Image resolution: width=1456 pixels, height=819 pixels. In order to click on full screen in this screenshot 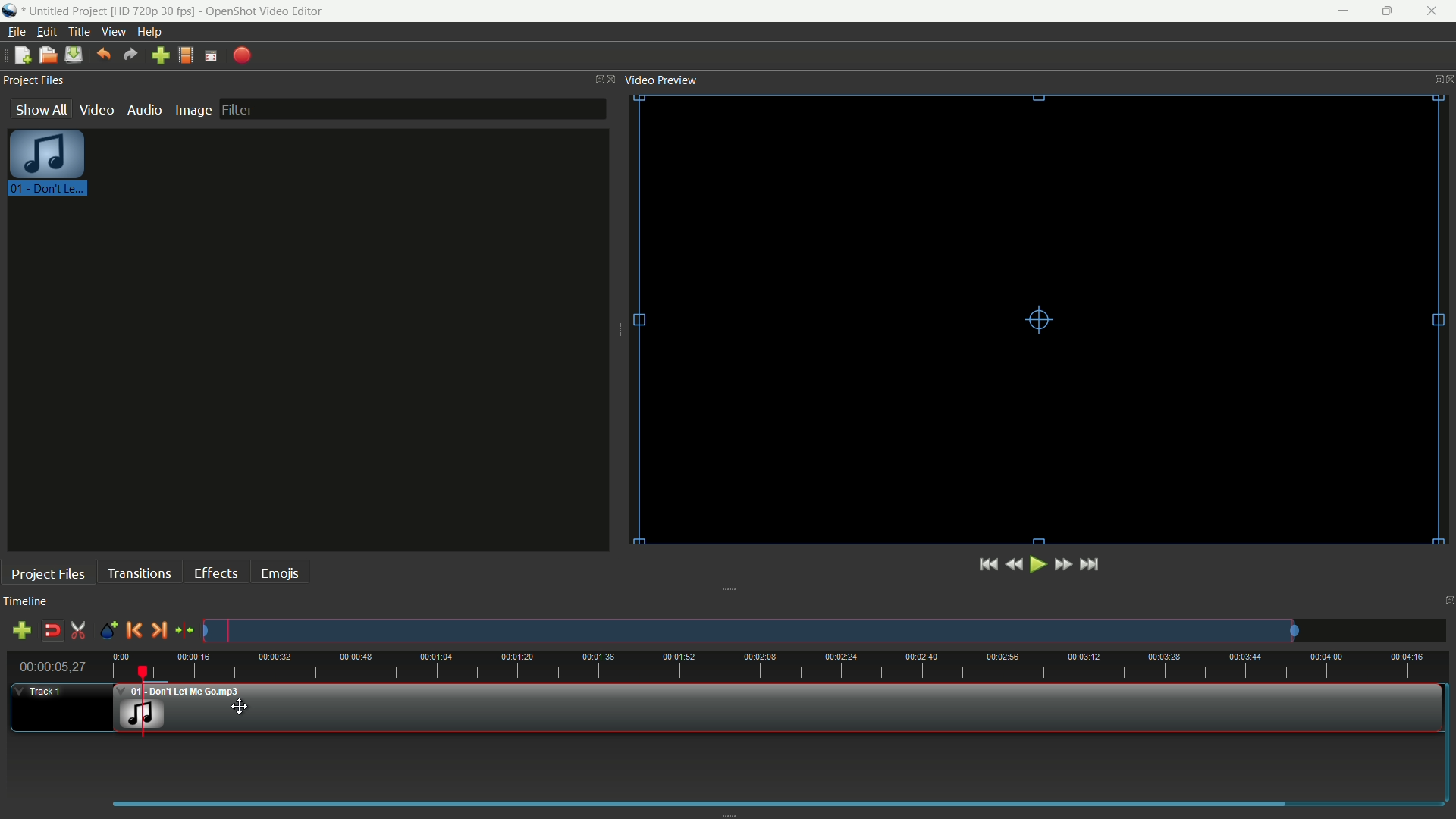, I will do `click(212, 55)`.